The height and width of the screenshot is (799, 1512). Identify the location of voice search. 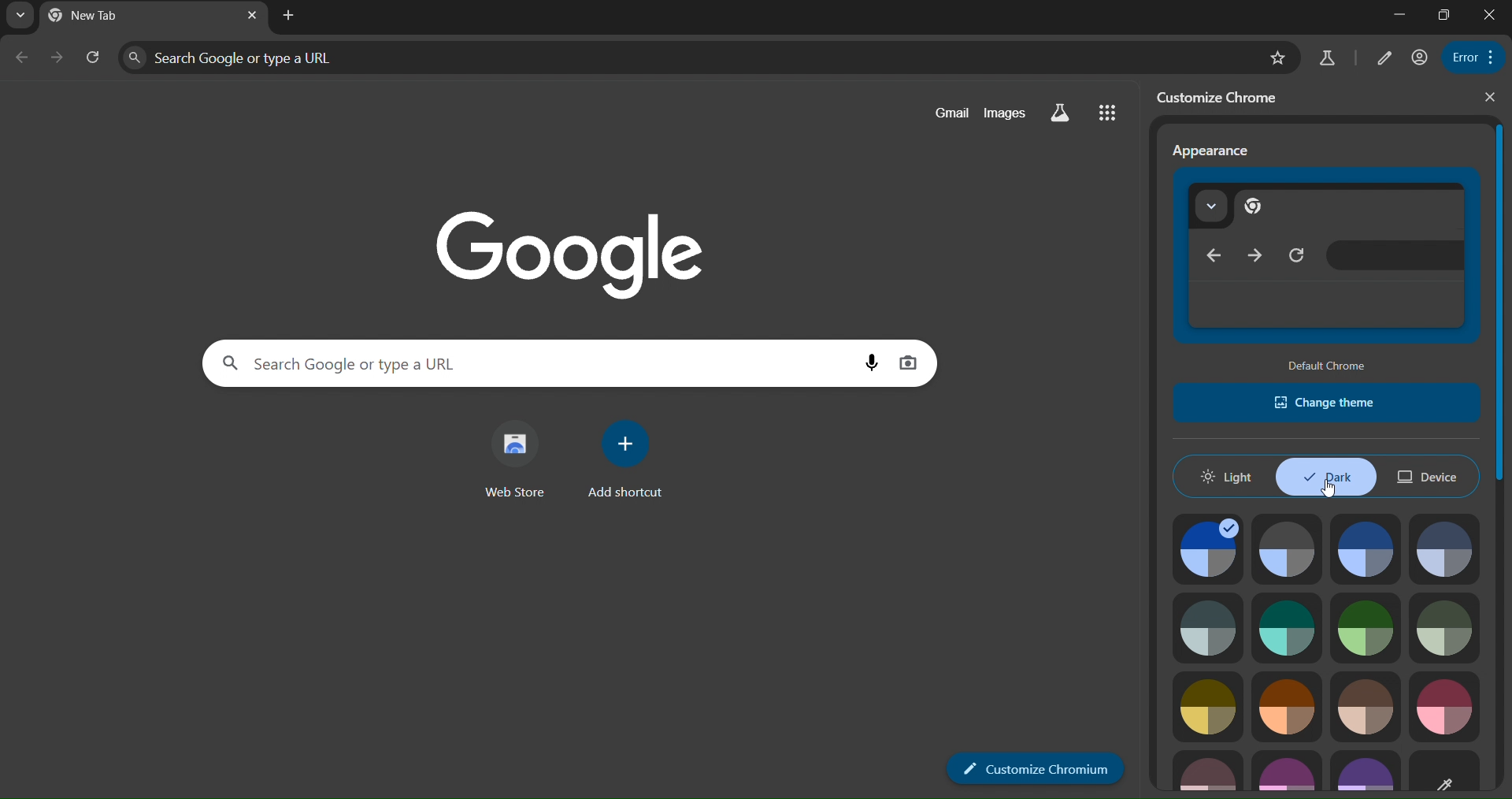
(871, 362).